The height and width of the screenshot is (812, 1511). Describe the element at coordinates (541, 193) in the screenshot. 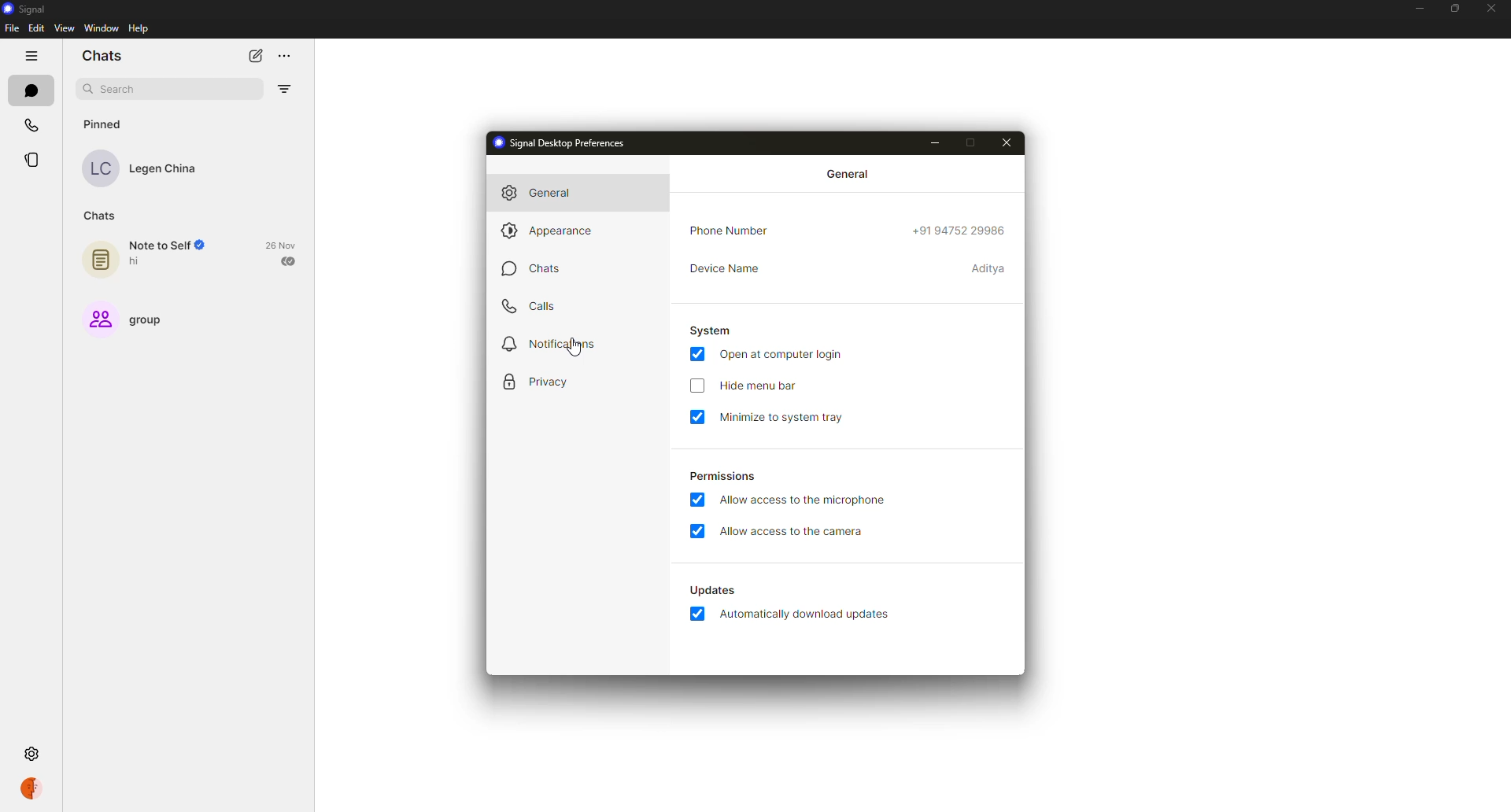

I see `general` at that location.